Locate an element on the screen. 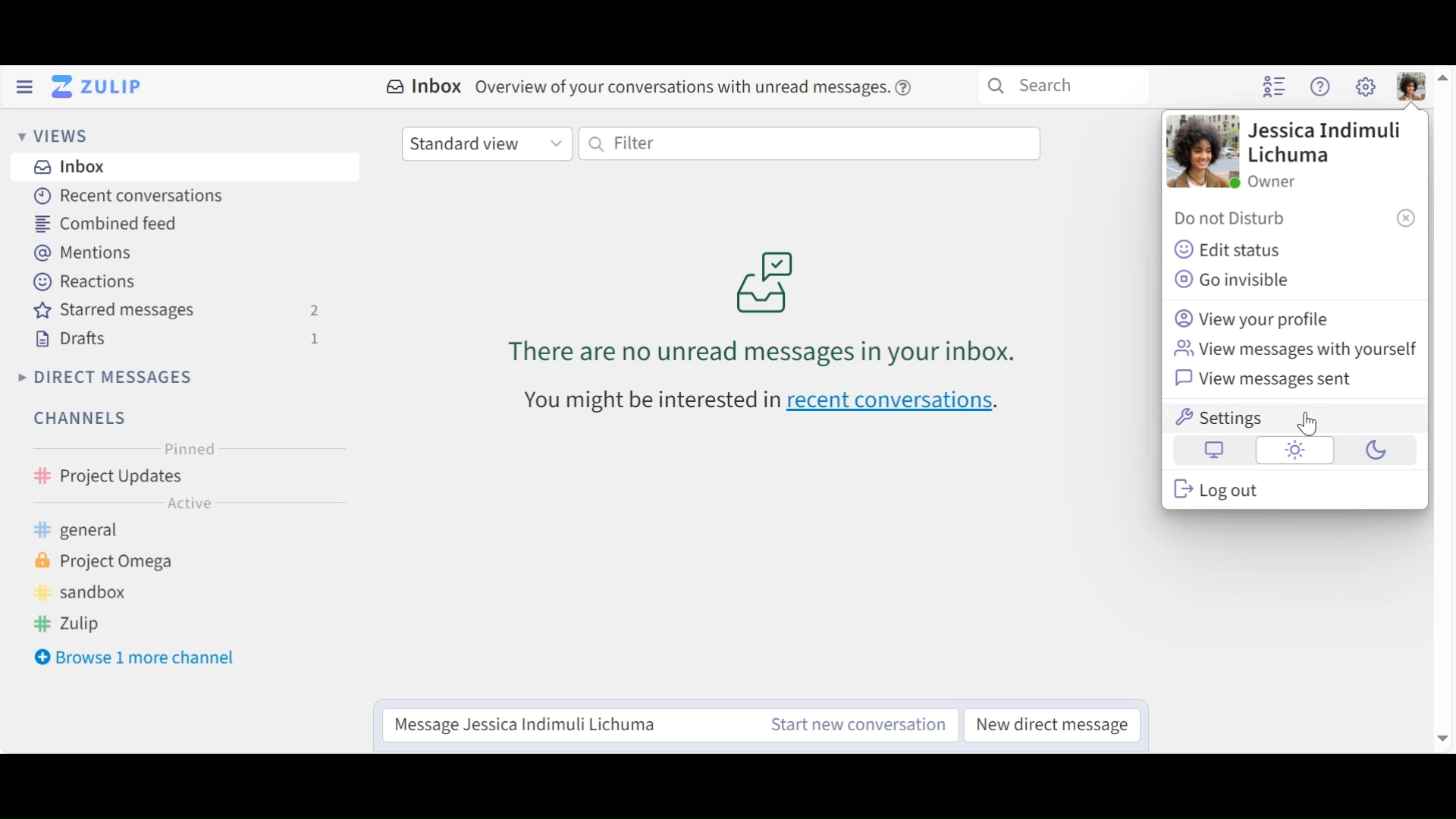 The width and height of the screenshot is (1456, 819). Go to Home View is located at coordinates (101, 86).